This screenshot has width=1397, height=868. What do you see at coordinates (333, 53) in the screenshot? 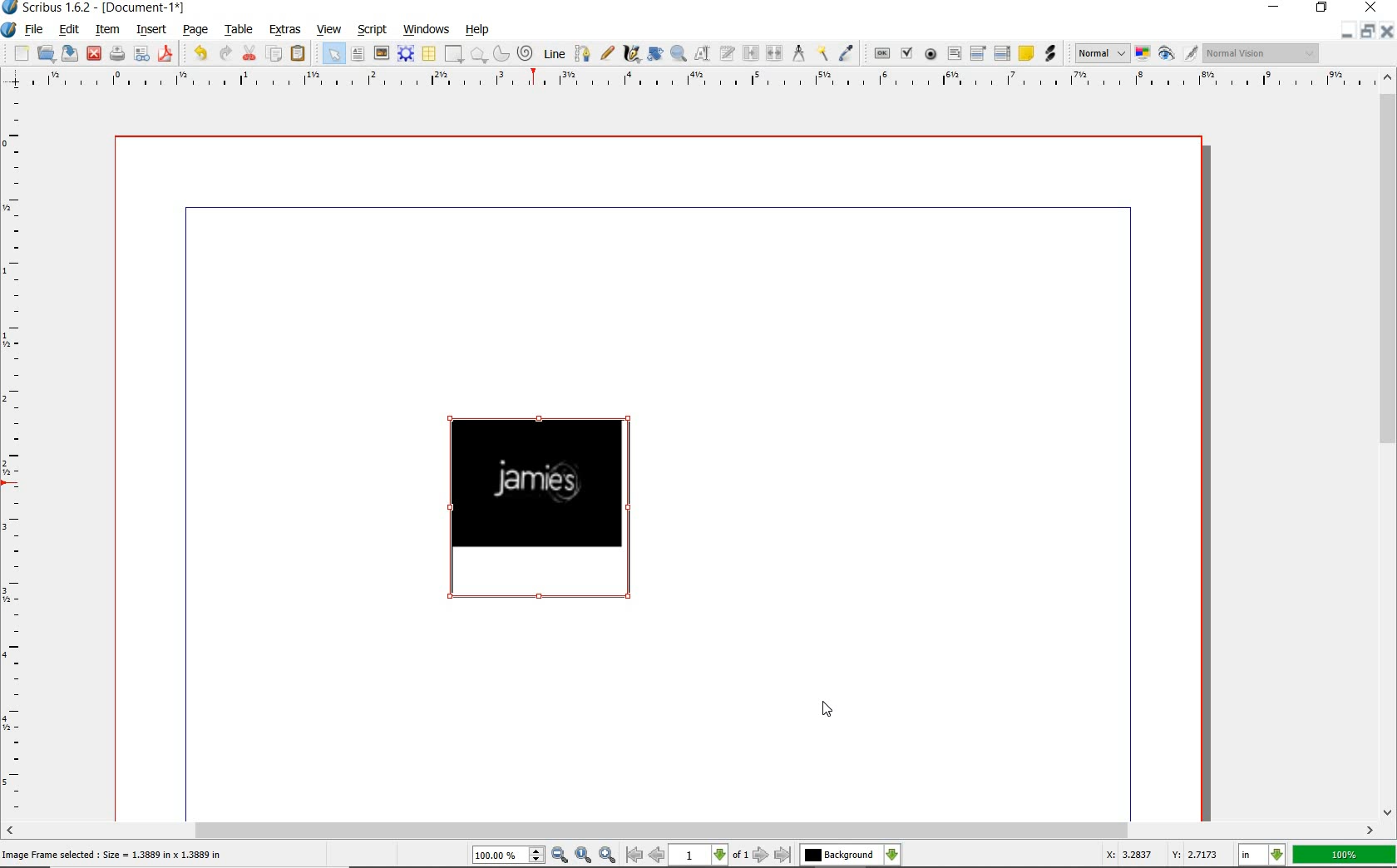
I see `SELECT` at bounding box center [333, 53].